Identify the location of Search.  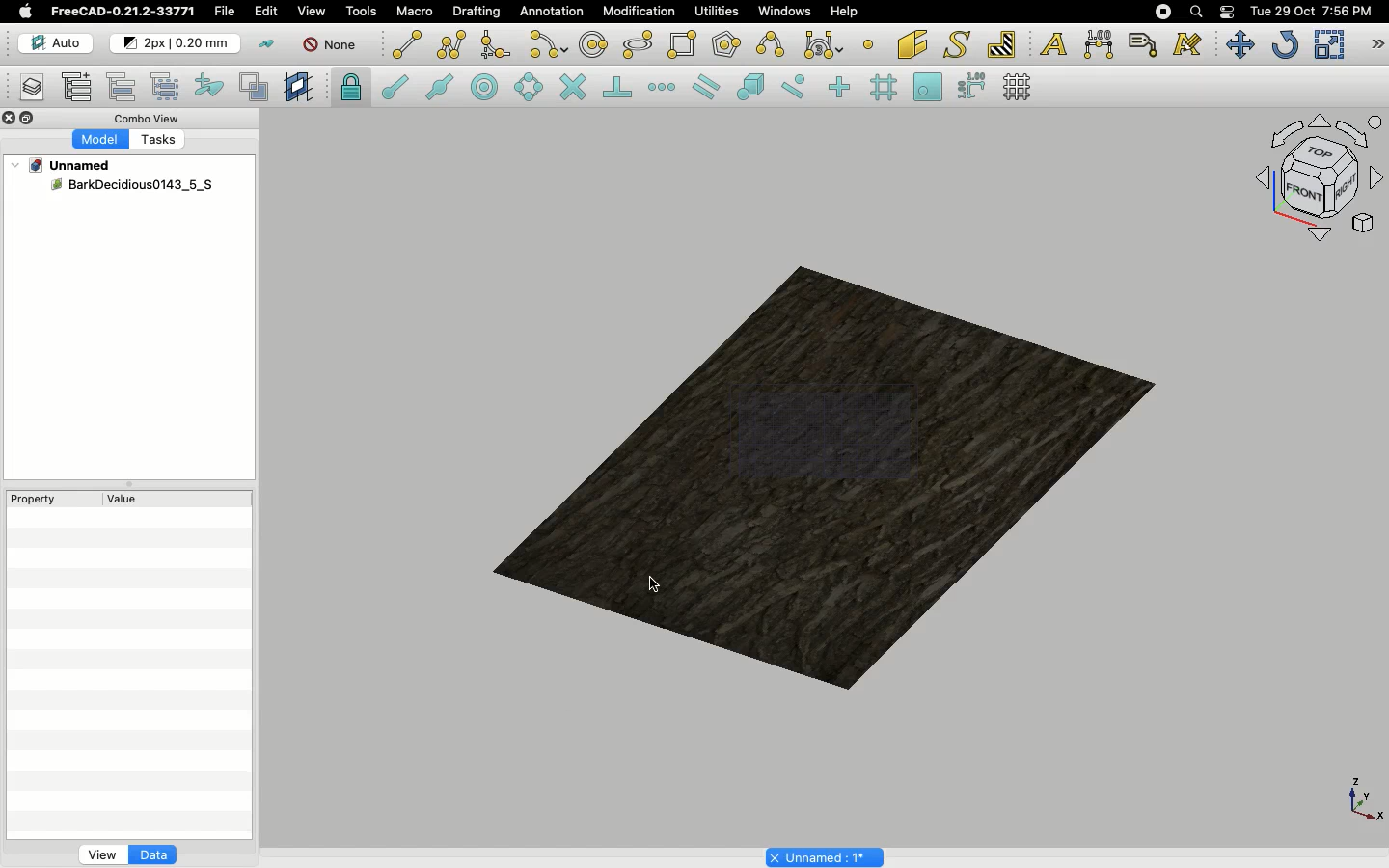
(1195, 12).